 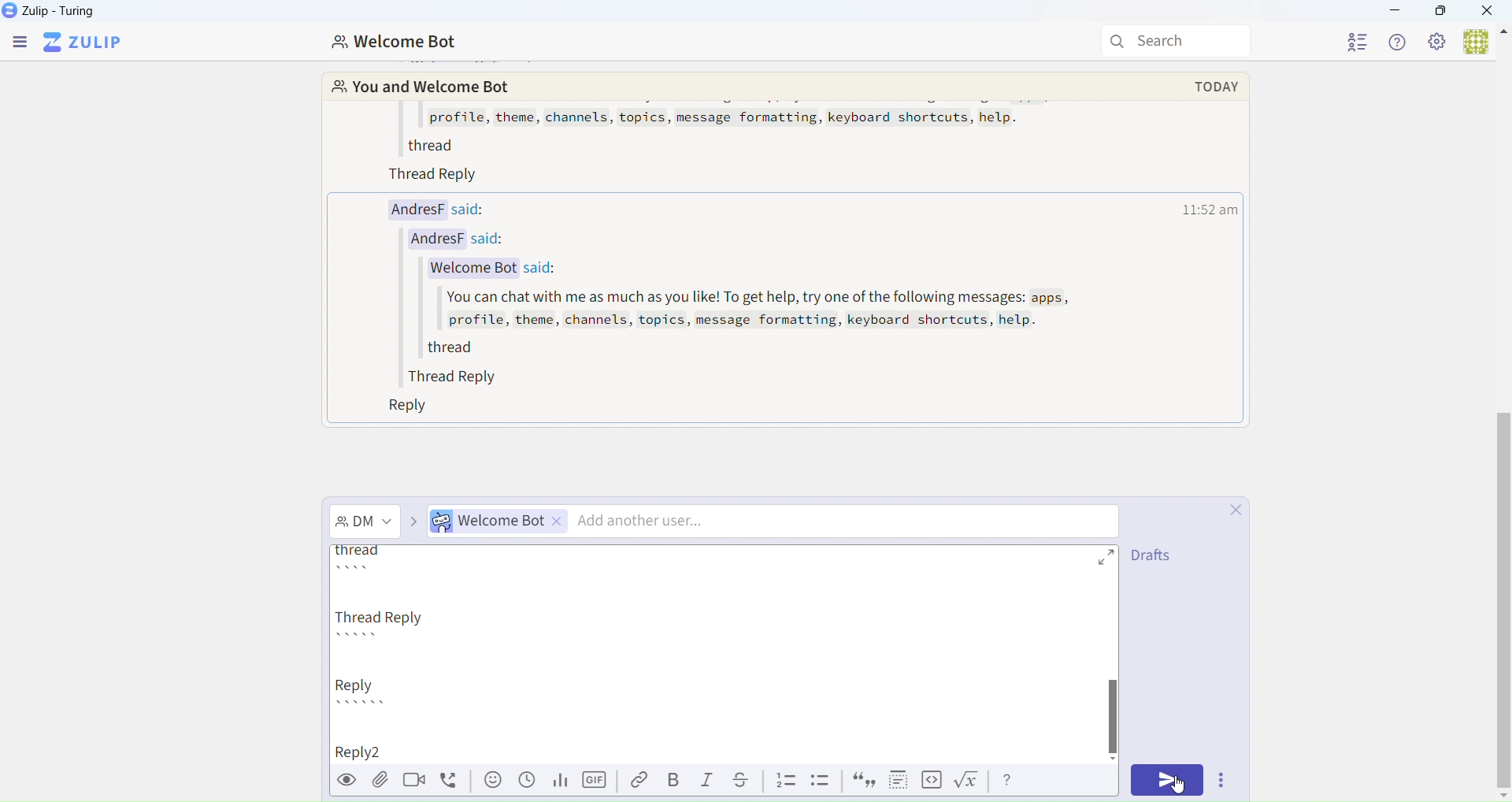 What do you see at coordinates (970, 782) in the screenshot?
I see `formula` at bounding box center [970, 782].